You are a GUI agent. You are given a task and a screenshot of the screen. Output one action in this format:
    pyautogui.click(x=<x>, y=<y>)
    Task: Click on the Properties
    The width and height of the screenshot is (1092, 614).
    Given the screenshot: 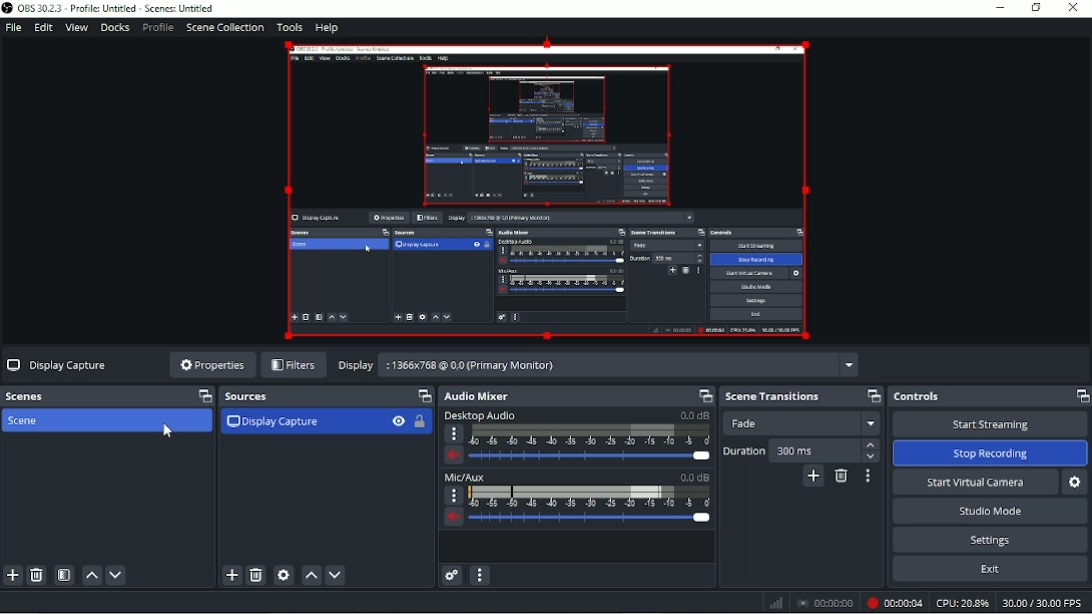 What is the action you would take?
    pyautogui.click(x=210, y=364)
    